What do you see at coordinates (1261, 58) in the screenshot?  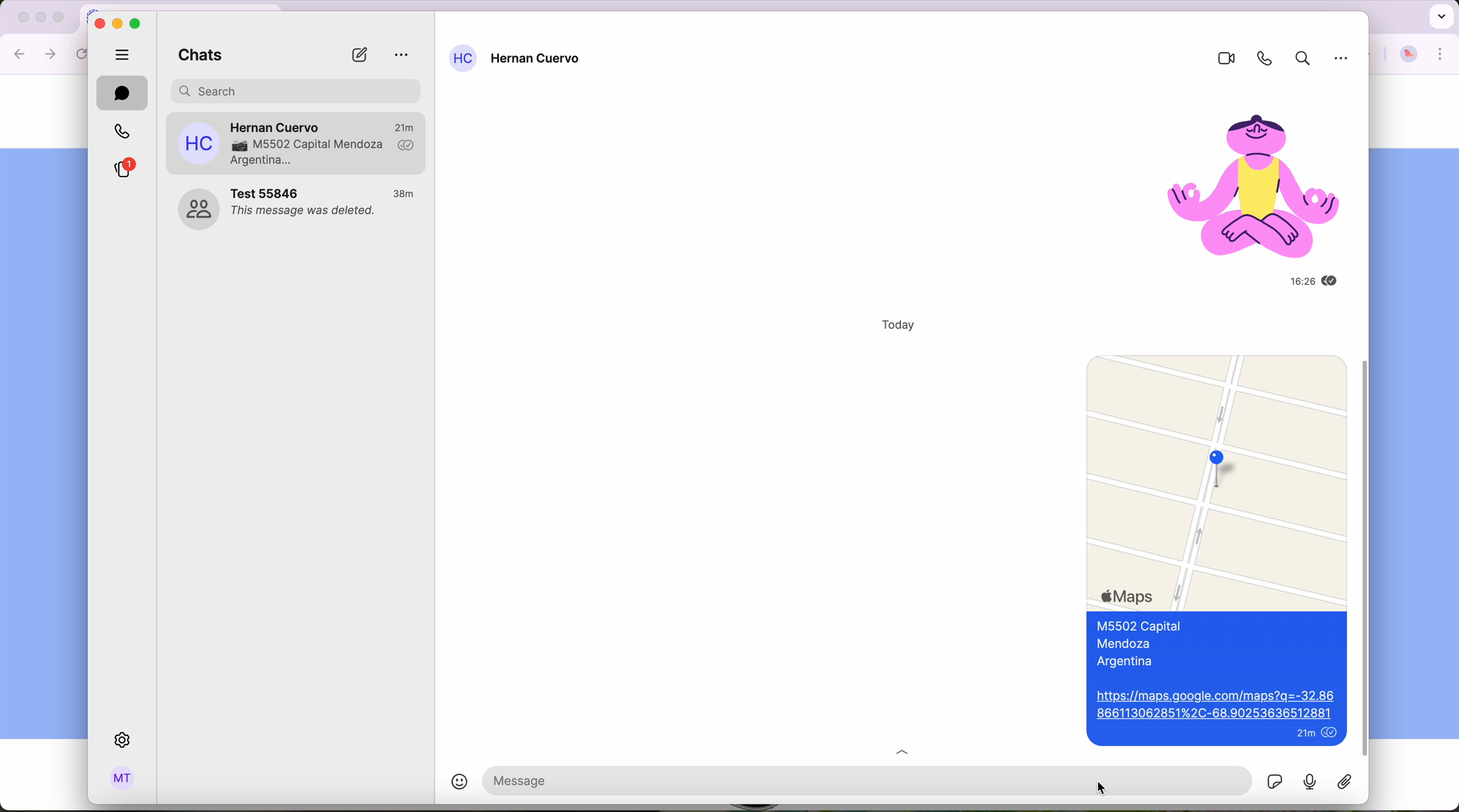 I see `phone` at bounding box center [1261, 58].